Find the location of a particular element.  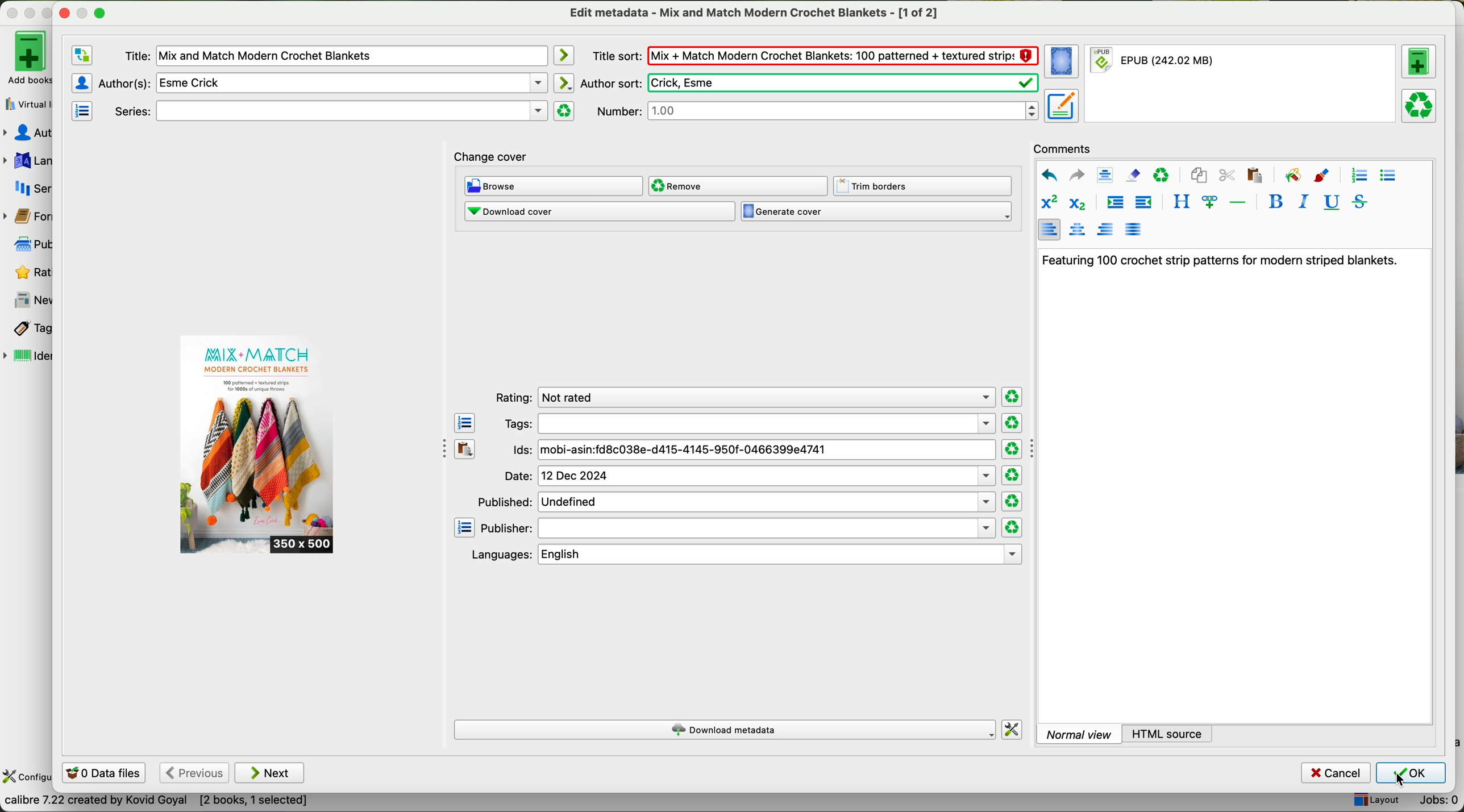

automatically create de author sort is located at coordinates (563, 82).